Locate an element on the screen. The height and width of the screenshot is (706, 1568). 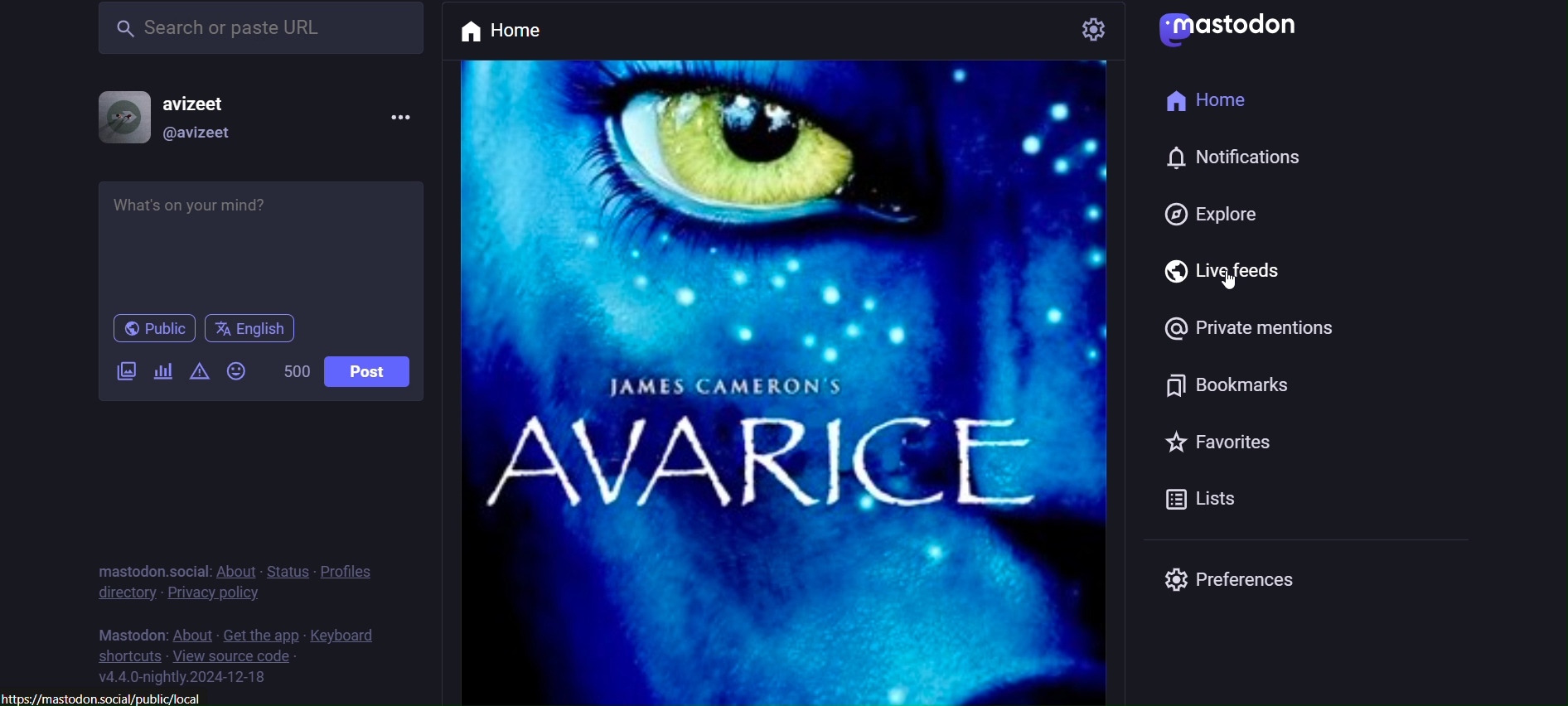
shortcuts is located at coordinates (123, 658).